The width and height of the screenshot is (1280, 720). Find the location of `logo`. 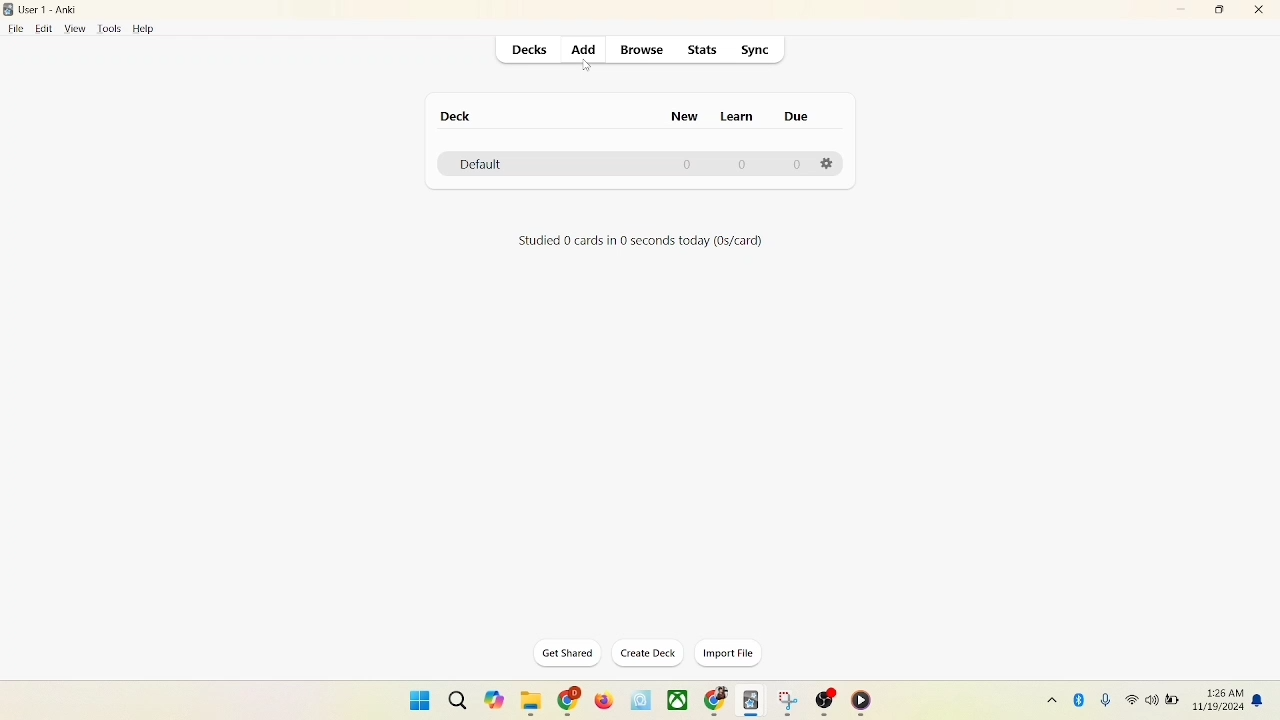

logo is located at coordinates (10, 9).